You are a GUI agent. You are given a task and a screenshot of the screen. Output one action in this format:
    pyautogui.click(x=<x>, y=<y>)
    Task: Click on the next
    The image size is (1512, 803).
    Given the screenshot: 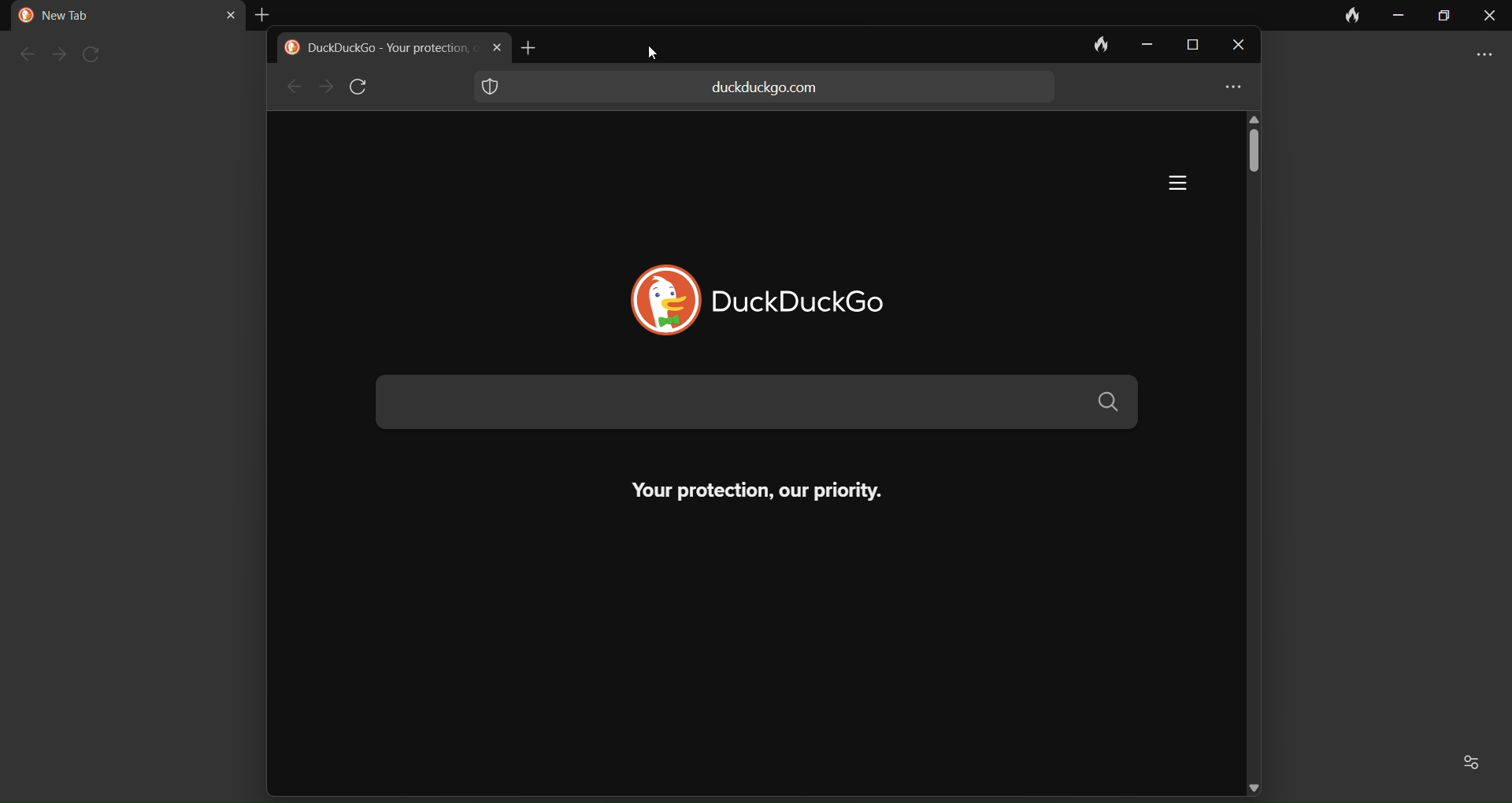 What is the action you would take?
    pyautogui.click(x=57, y=55)
    